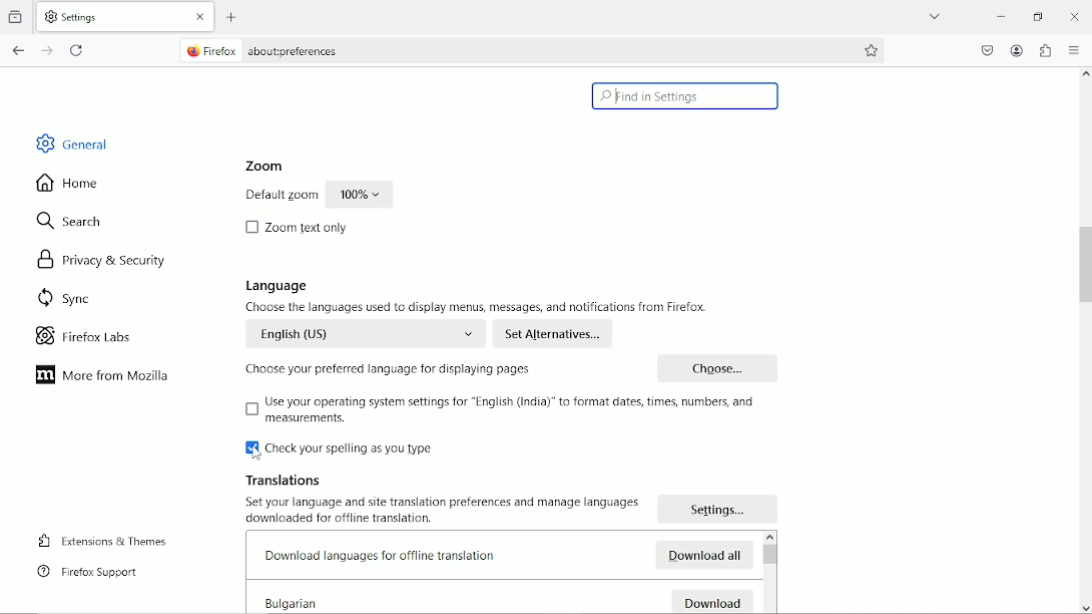  Describe the element at coordinates (1073, 50) in the screenshot. I see `Open application menu` at that location.